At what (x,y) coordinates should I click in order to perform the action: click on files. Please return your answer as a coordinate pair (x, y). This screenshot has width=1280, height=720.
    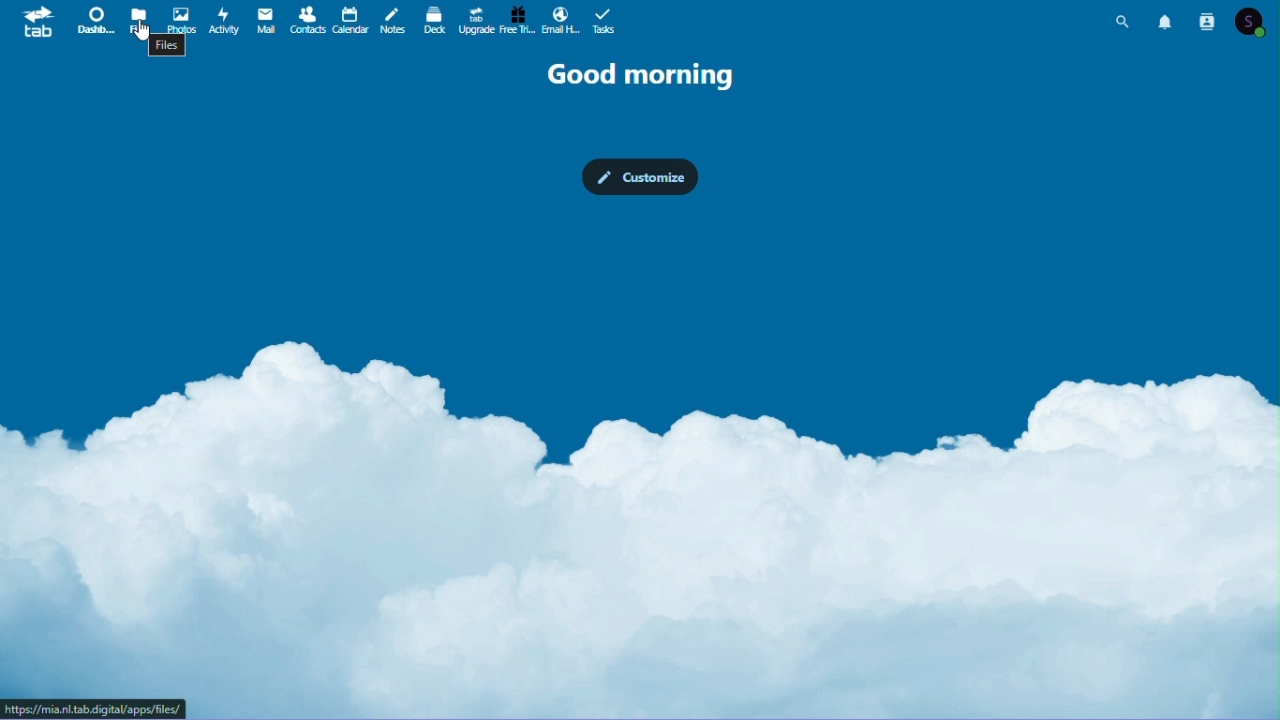
    Looking at the image, I should click on (138, 20).